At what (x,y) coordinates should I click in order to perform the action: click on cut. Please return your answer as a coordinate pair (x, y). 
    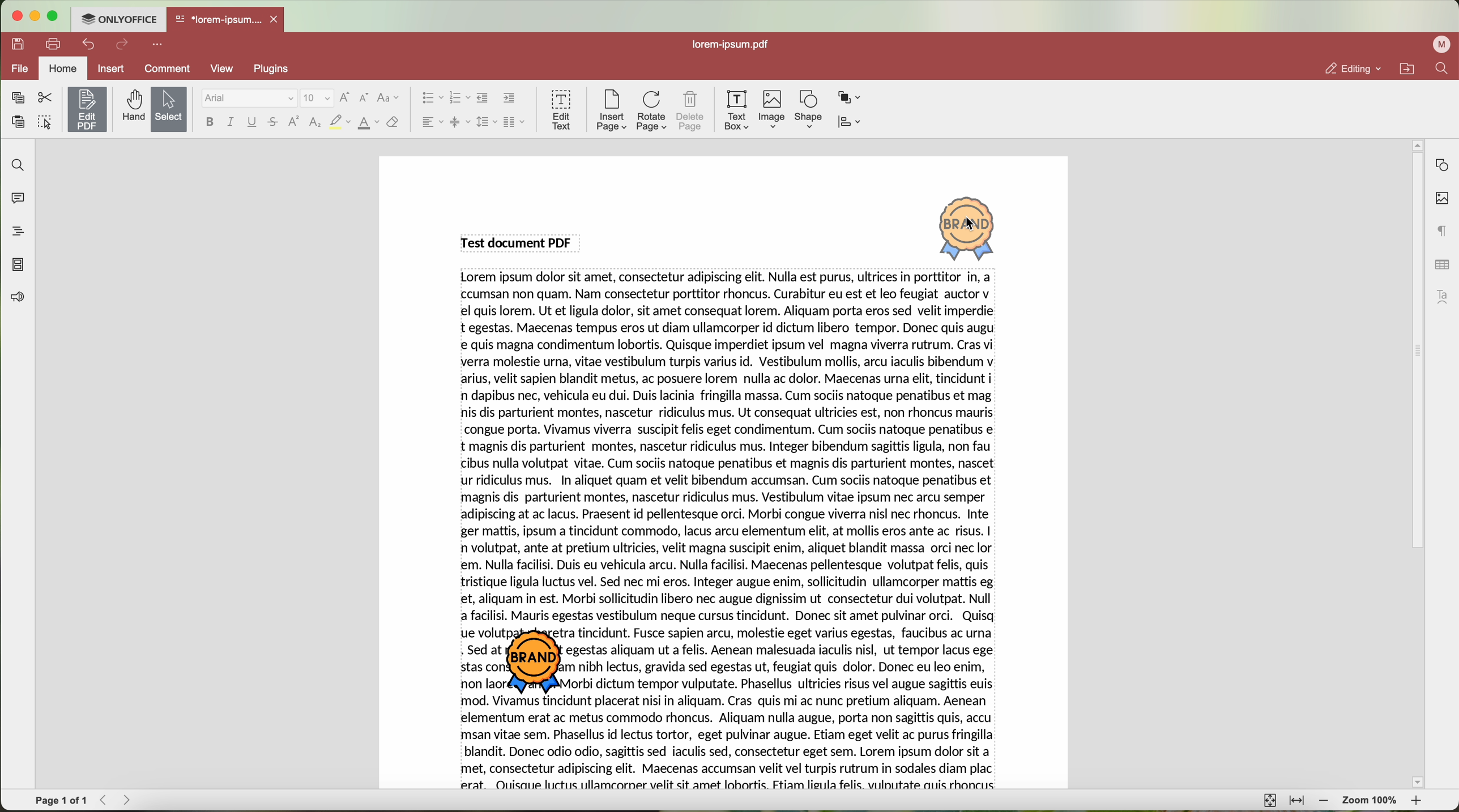
    Looking at the image, I should click on (45, 98).